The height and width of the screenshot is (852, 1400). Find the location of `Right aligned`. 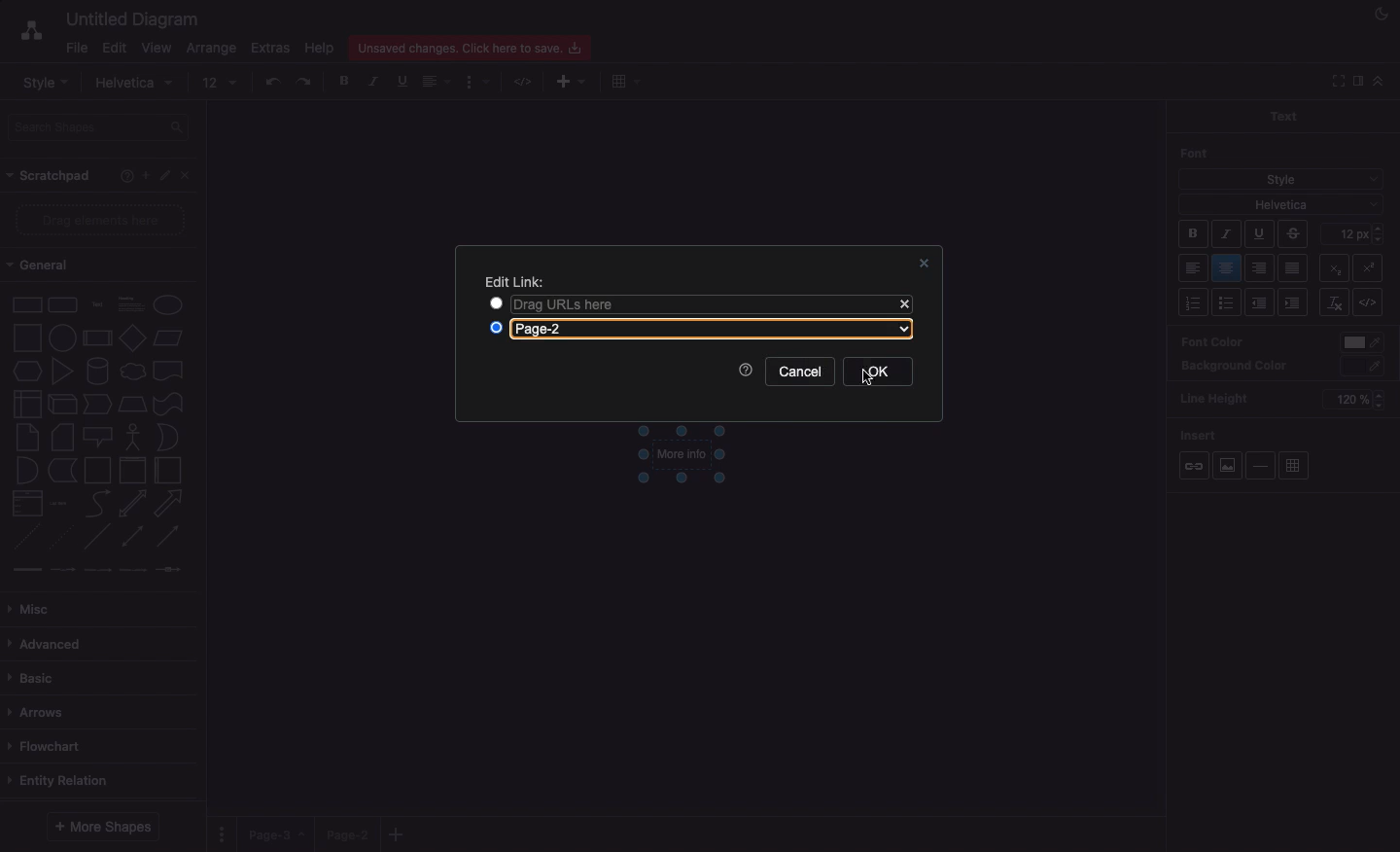

Right aligned is located at coordinates (1260, 269).